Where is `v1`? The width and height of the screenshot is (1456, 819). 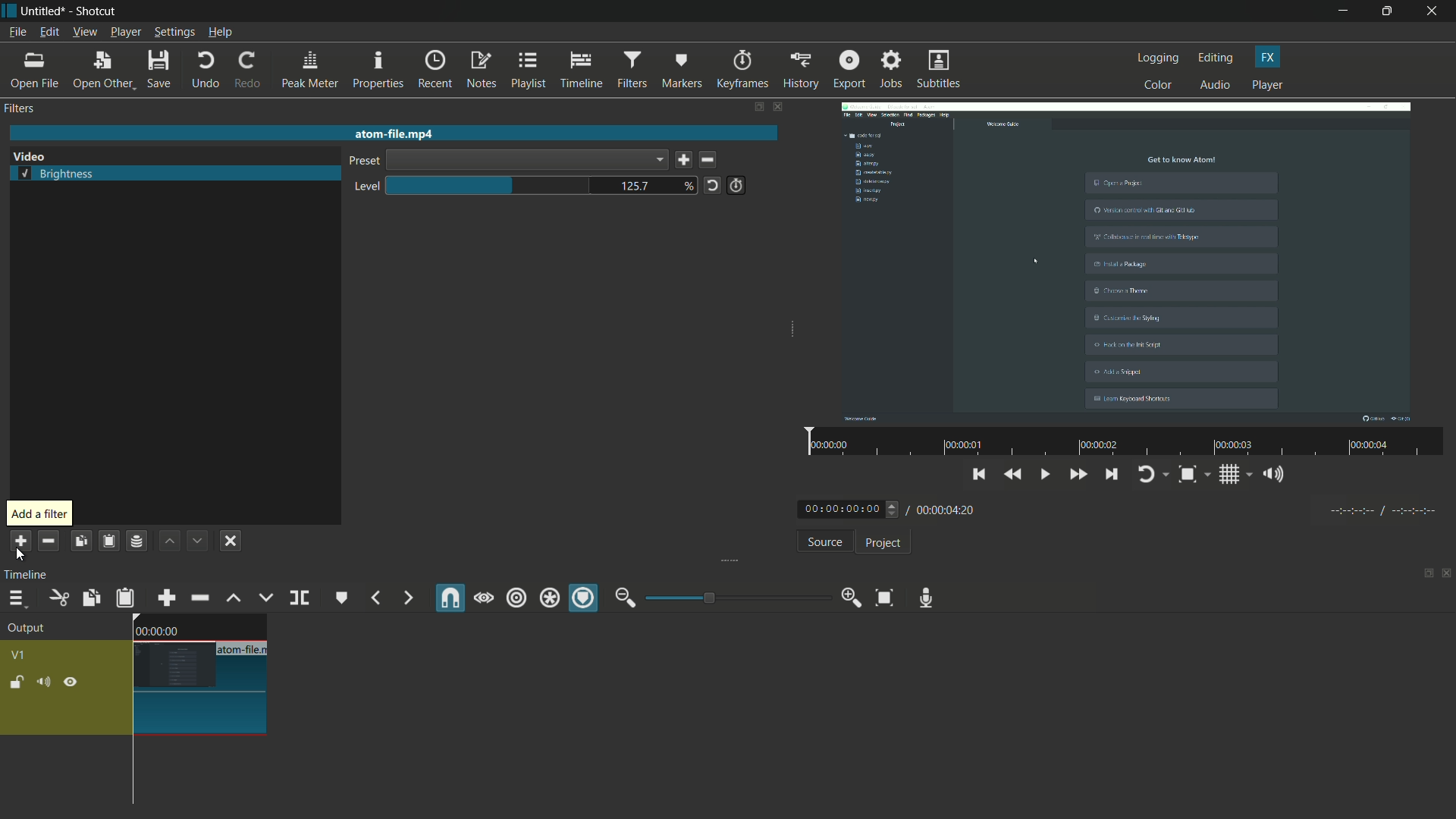 v1 is located at coordinates (21, 654).